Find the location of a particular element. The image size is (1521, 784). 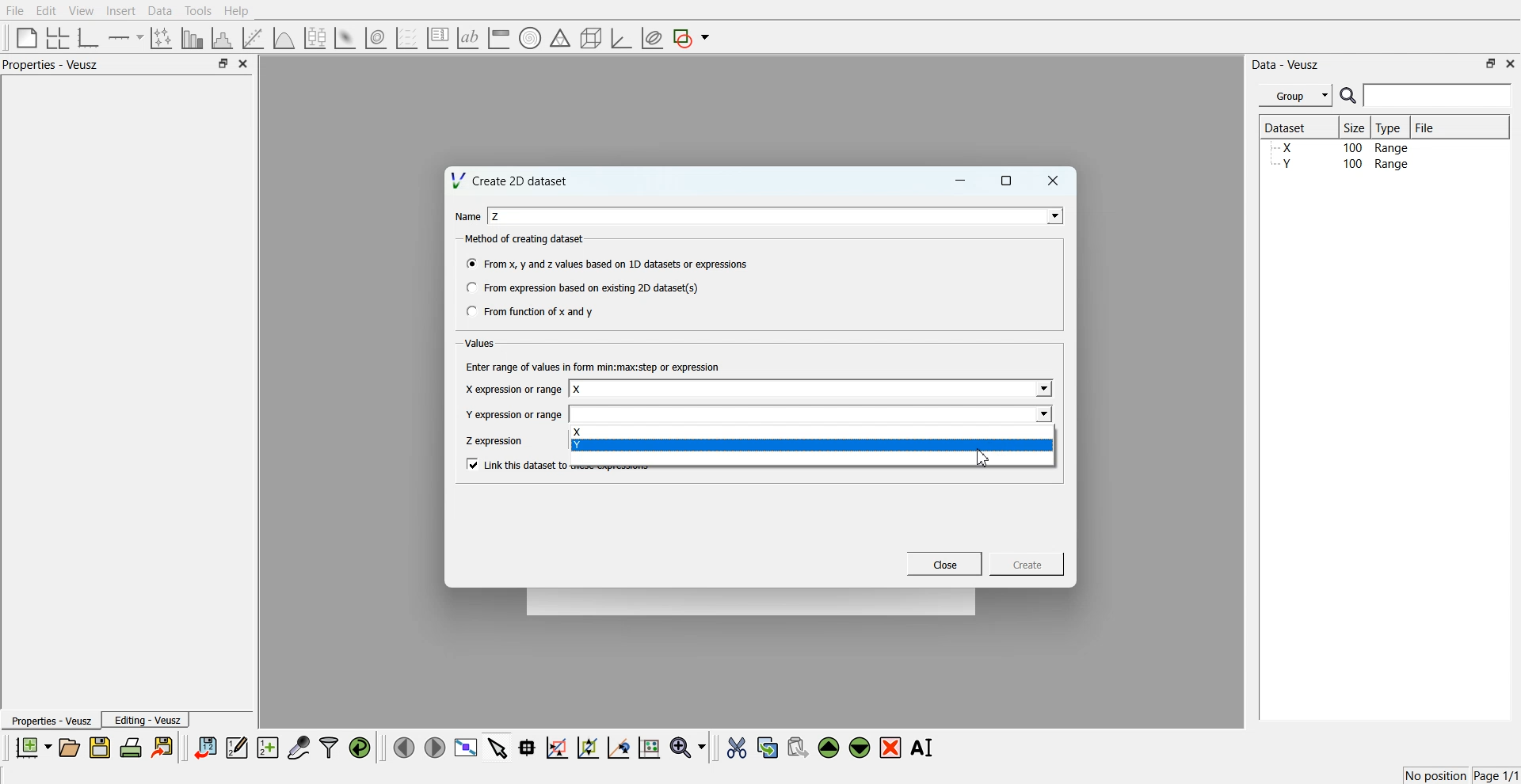

Save the document is located at coordinates (100, 747).